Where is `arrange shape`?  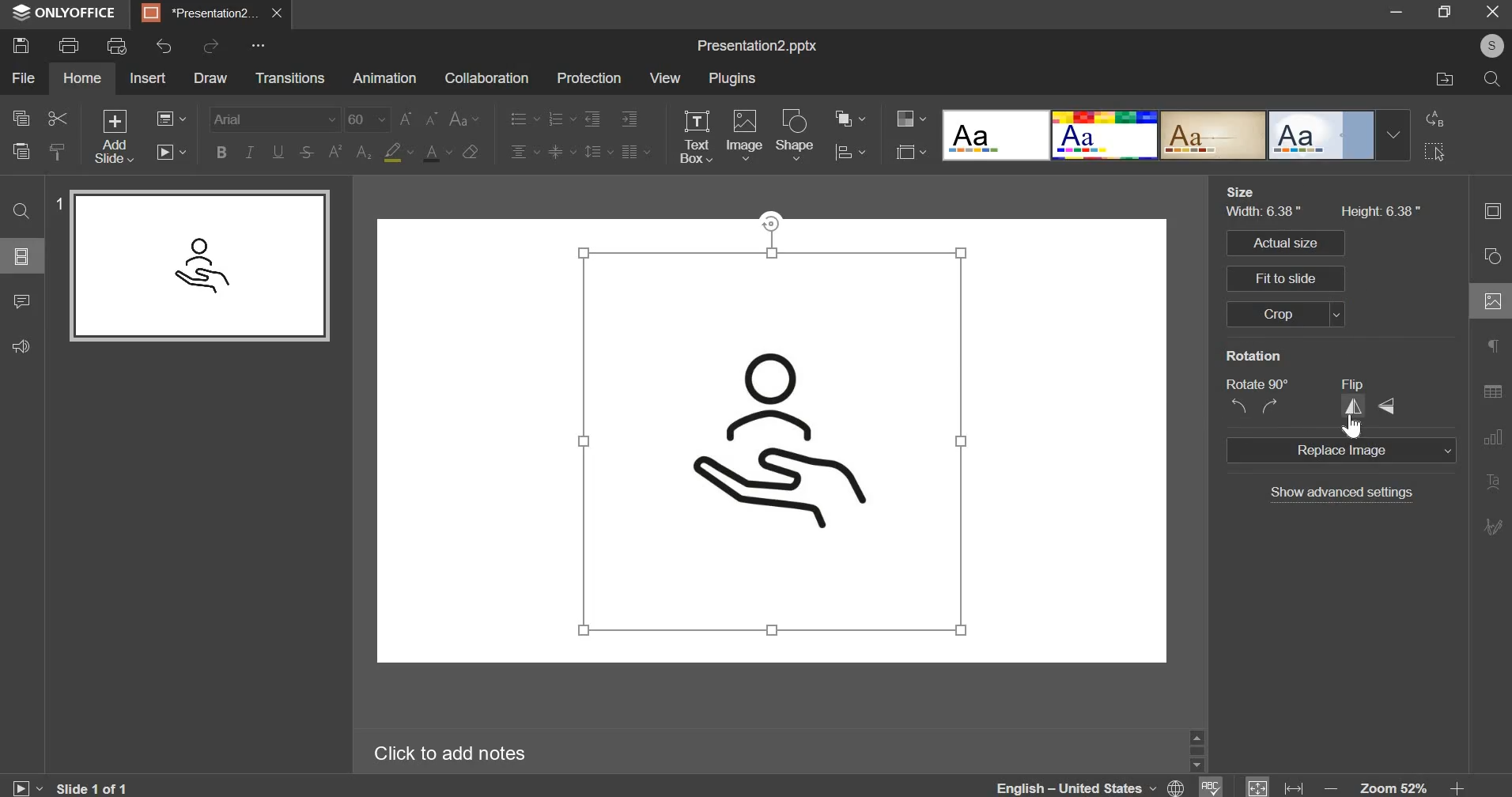 arrange shape is located at coordinates (851, 116).